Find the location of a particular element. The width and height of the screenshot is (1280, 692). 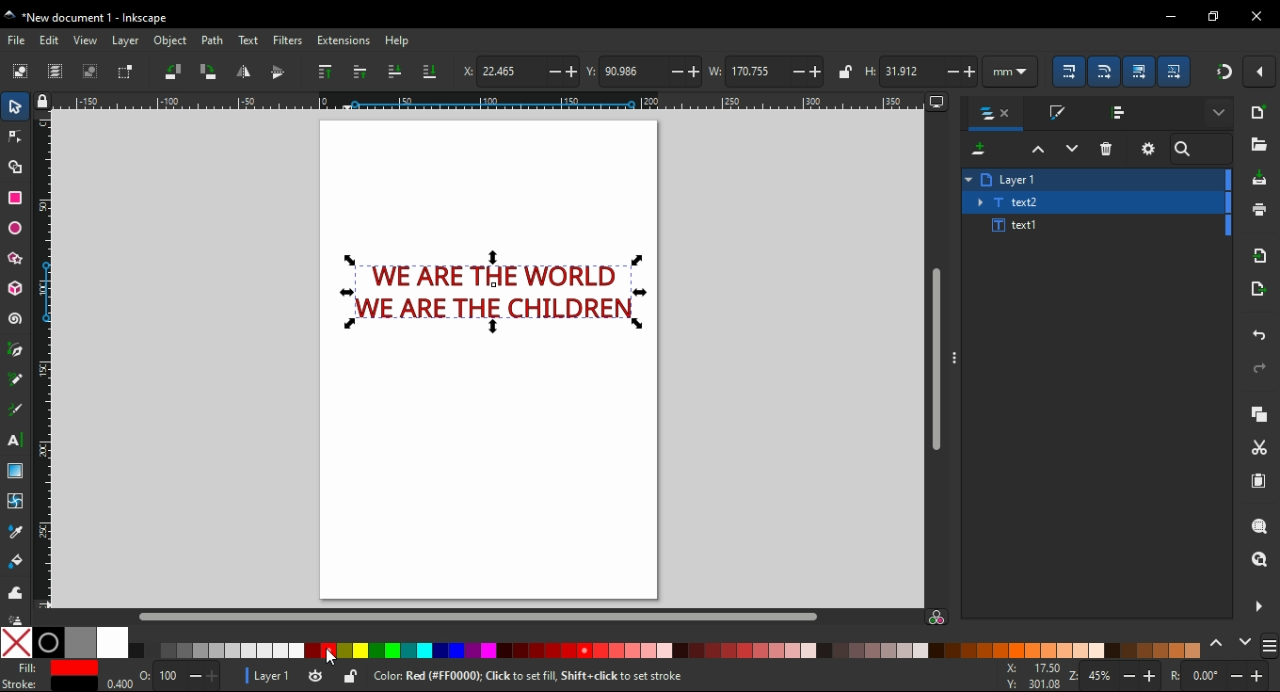

50% grey is located at coordinates (80, 643).